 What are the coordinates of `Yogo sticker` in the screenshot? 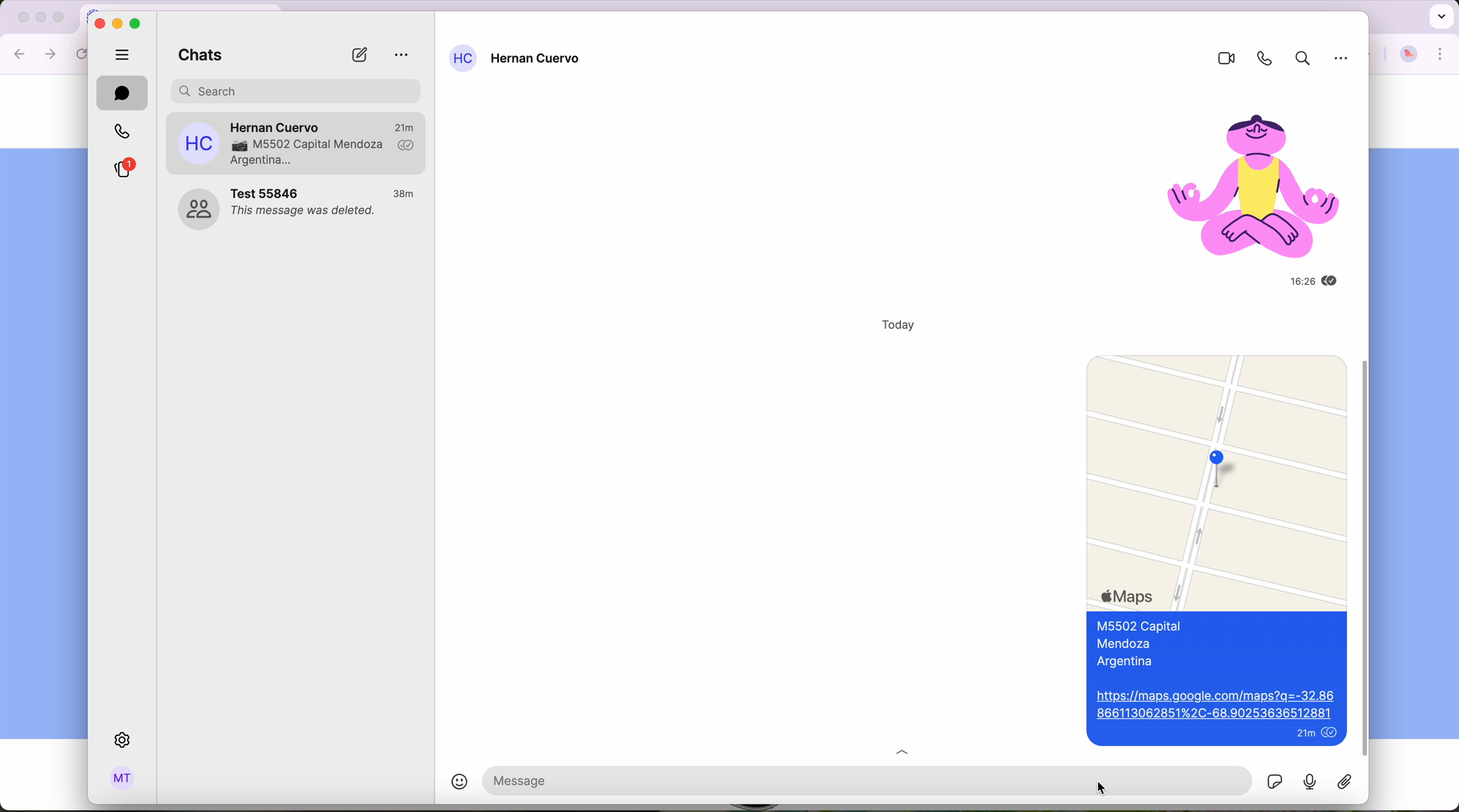 It's located at (1243, 177).